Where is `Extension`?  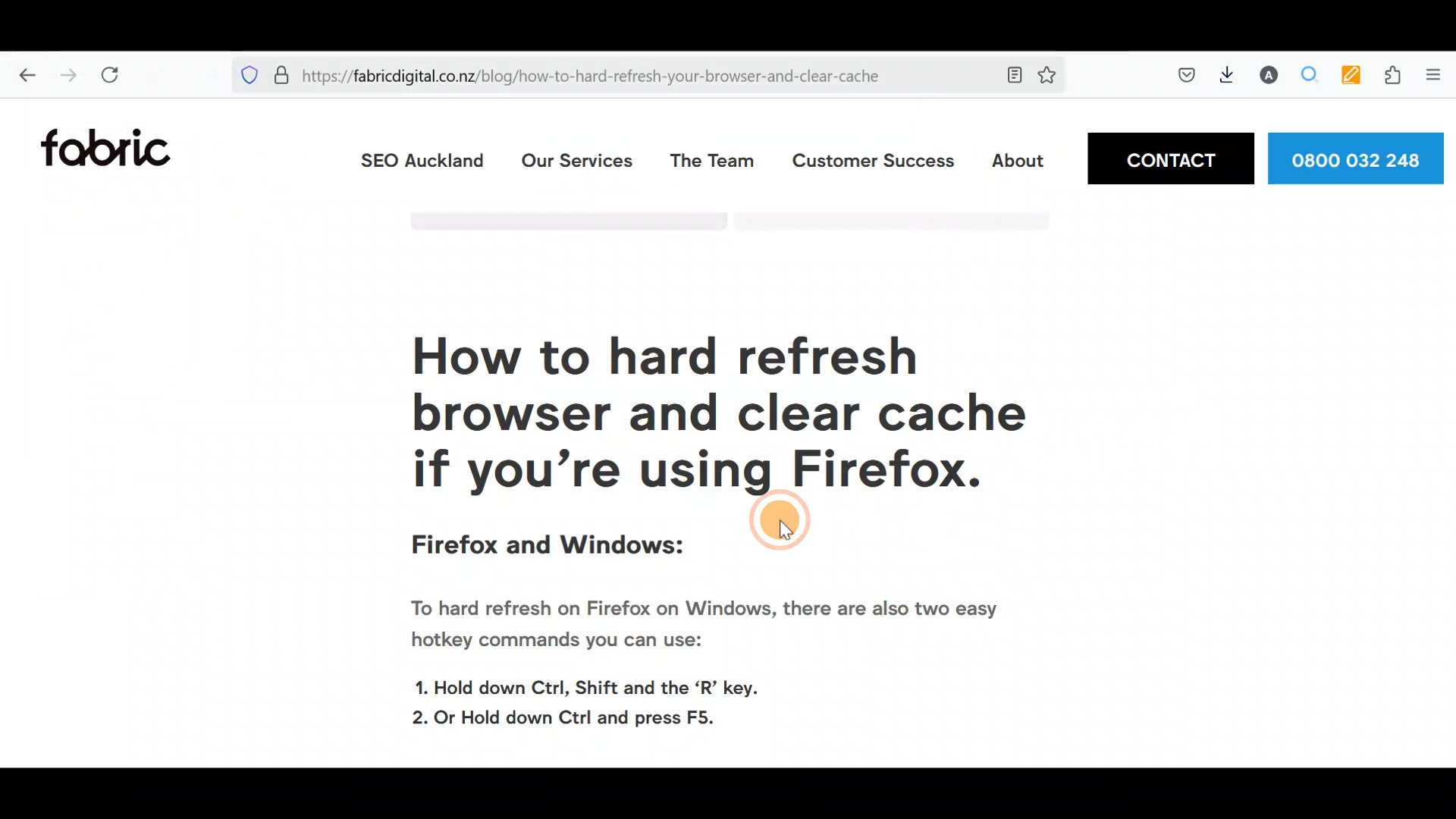 Extension is located at coordinates (1394, 78).